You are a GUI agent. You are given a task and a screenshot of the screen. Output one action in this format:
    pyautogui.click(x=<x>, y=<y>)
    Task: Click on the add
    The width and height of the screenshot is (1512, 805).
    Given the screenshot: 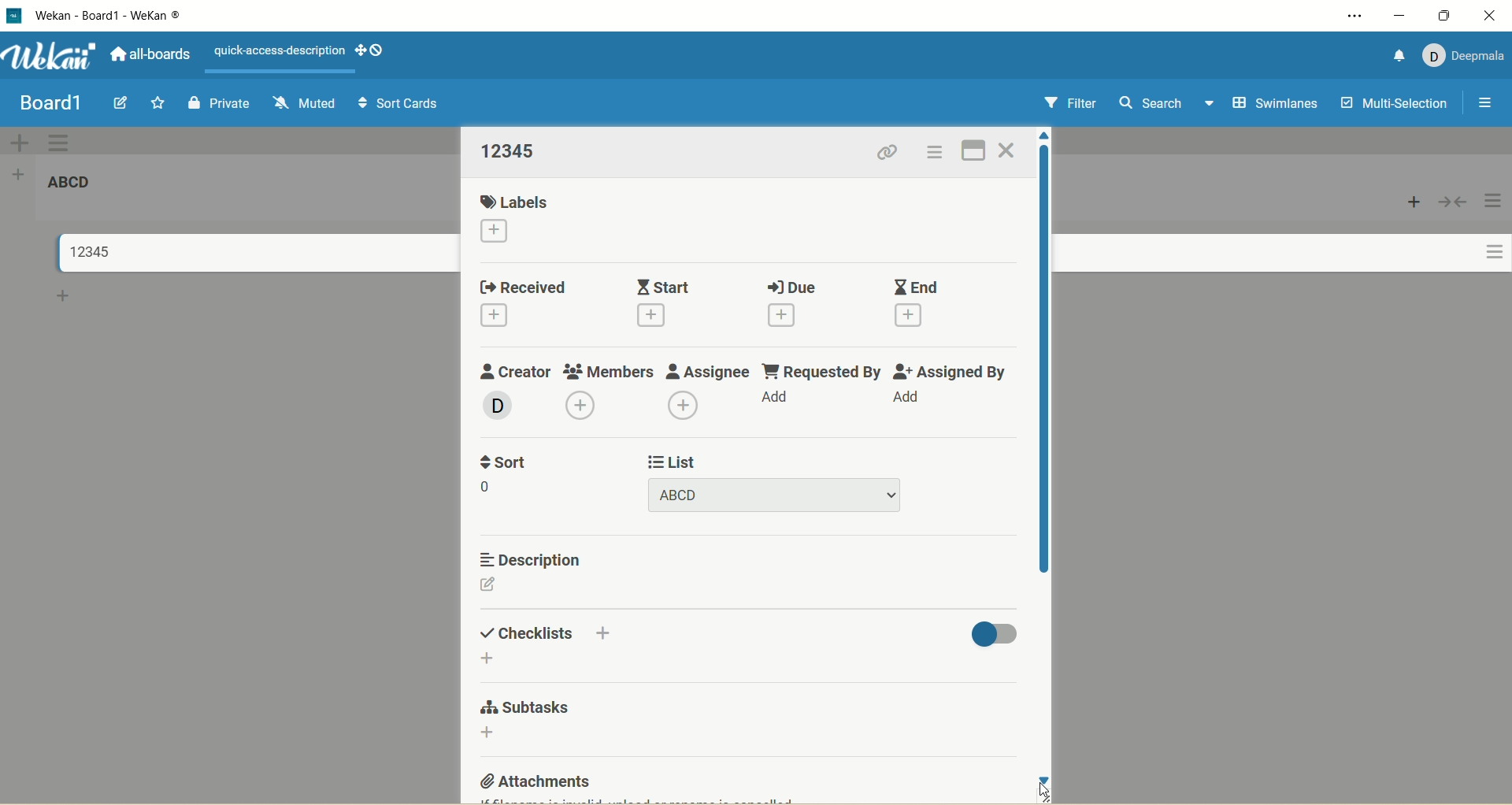 What is the action you would take?
    pyautogui.click(x=785, y=317)
    